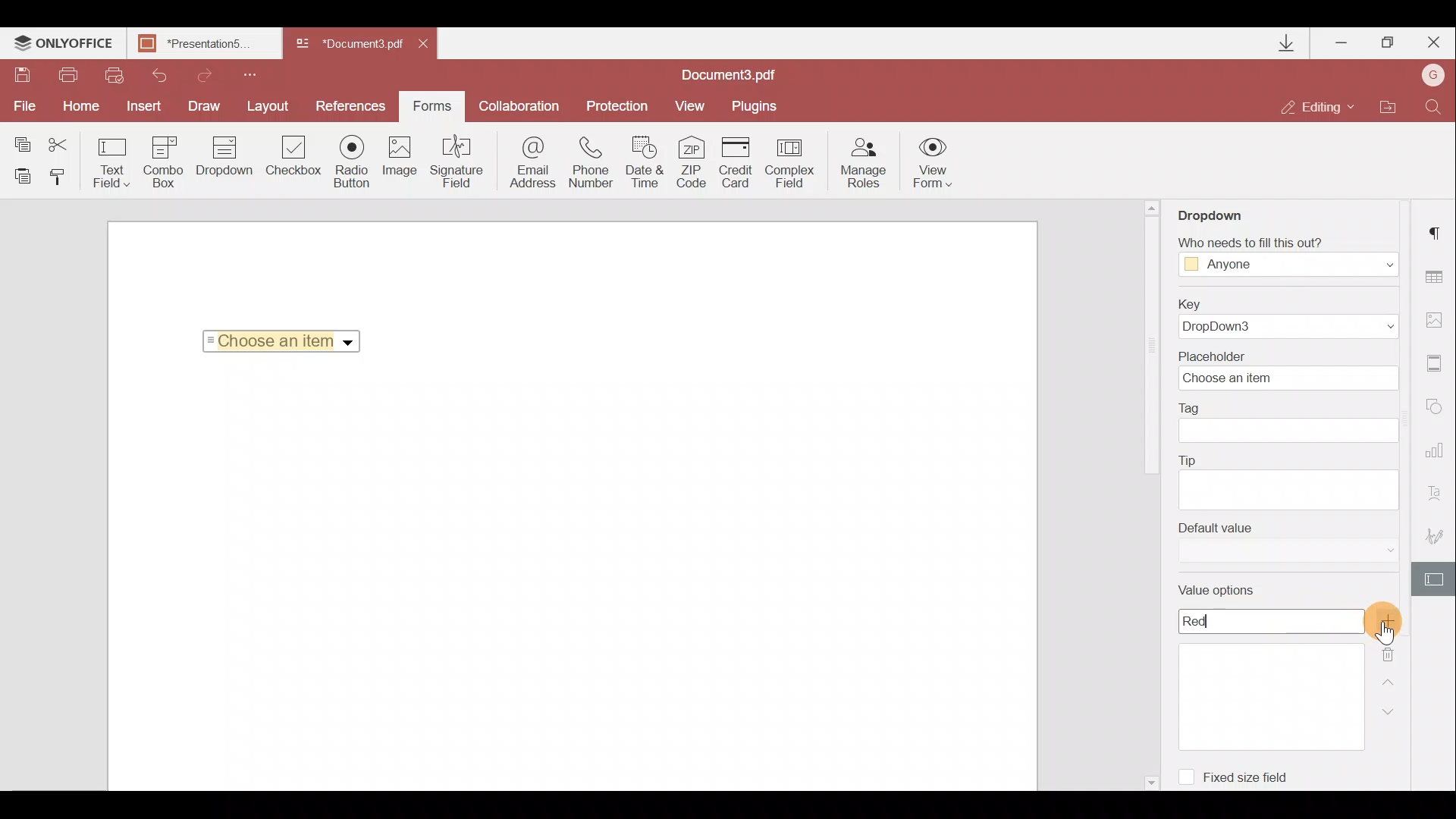 Image resolution: width=1456 pixels, height=819 pixels. Describe the element at coordinates (431, 47) in the screenshot. I see `Close` at that location.